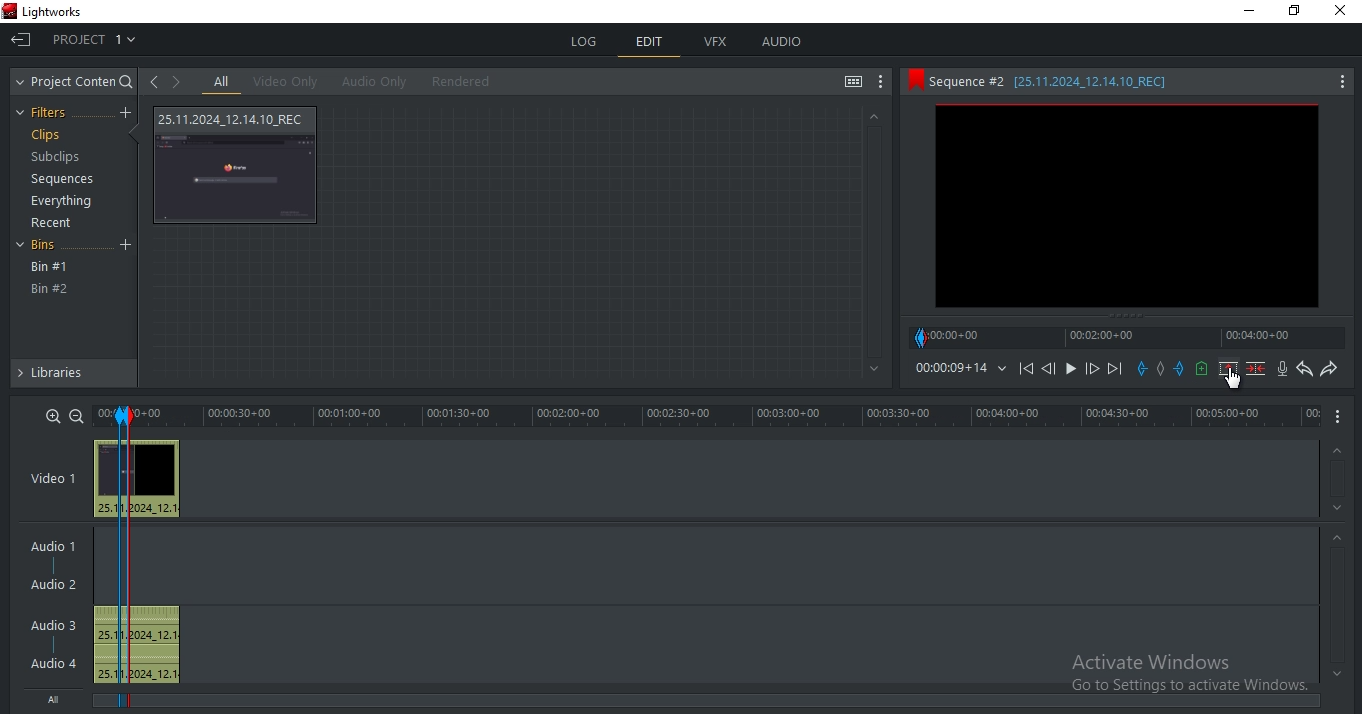 The image size is (1362, 714). Describe the element at coordinates (49, 247) in the screenshot. I see `bins` at that location.